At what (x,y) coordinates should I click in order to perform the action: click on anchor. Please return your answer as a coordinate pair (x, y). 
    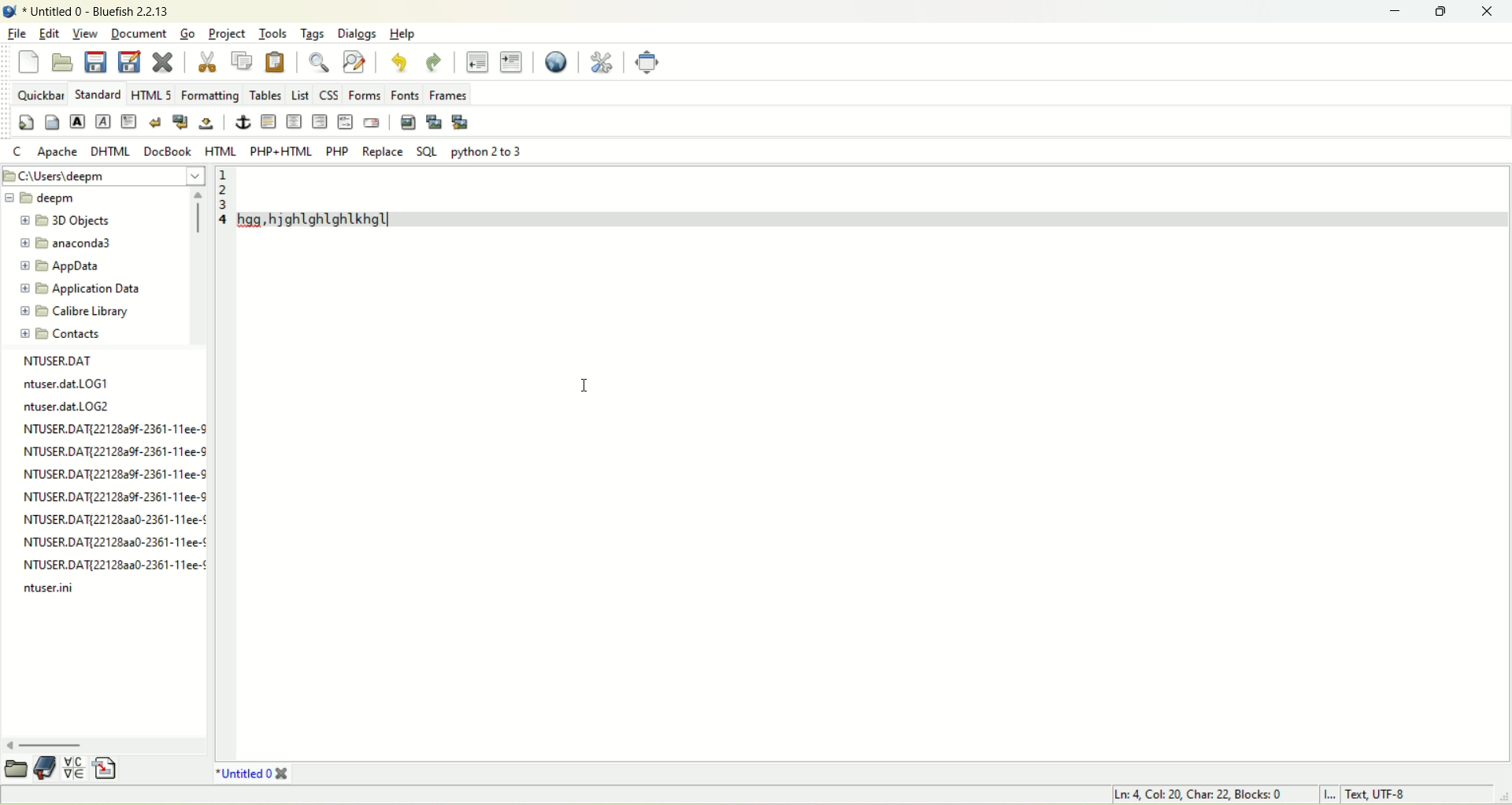
    Looking at the image, I should click on (240, 121).